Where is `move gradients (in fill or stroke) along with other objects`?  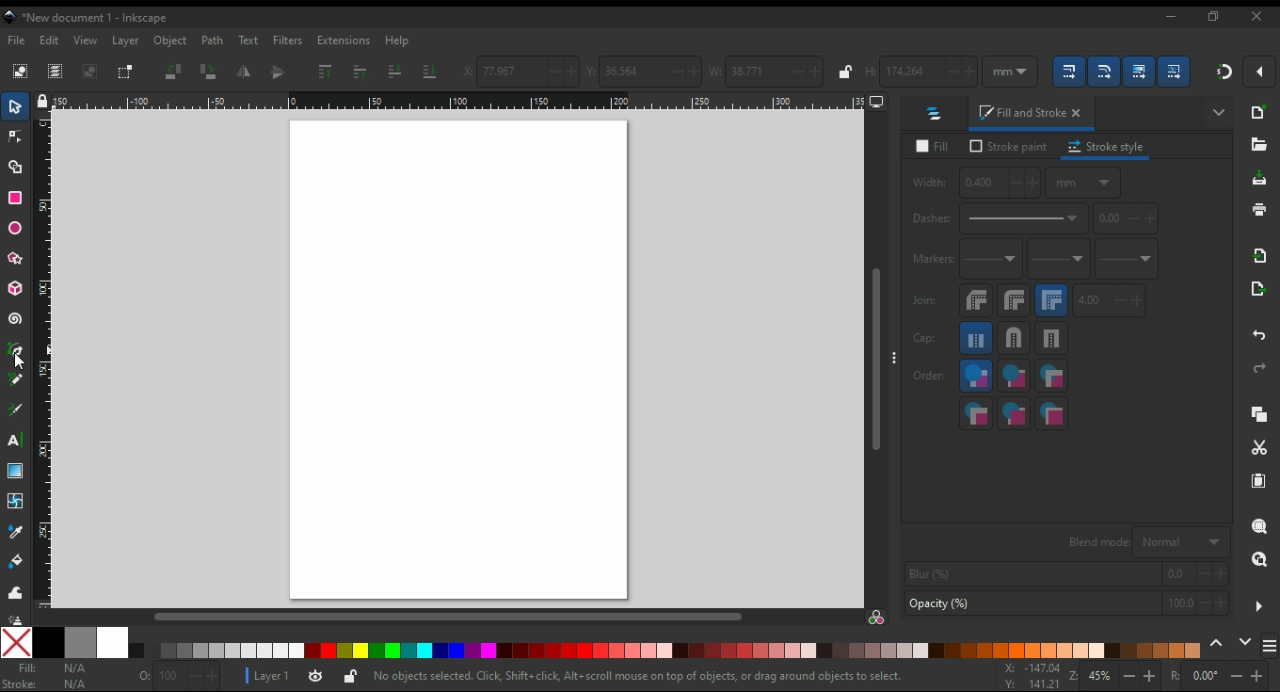
move gradients (in fill or stroke) along with other objects is located at coordinates (1137, 72).